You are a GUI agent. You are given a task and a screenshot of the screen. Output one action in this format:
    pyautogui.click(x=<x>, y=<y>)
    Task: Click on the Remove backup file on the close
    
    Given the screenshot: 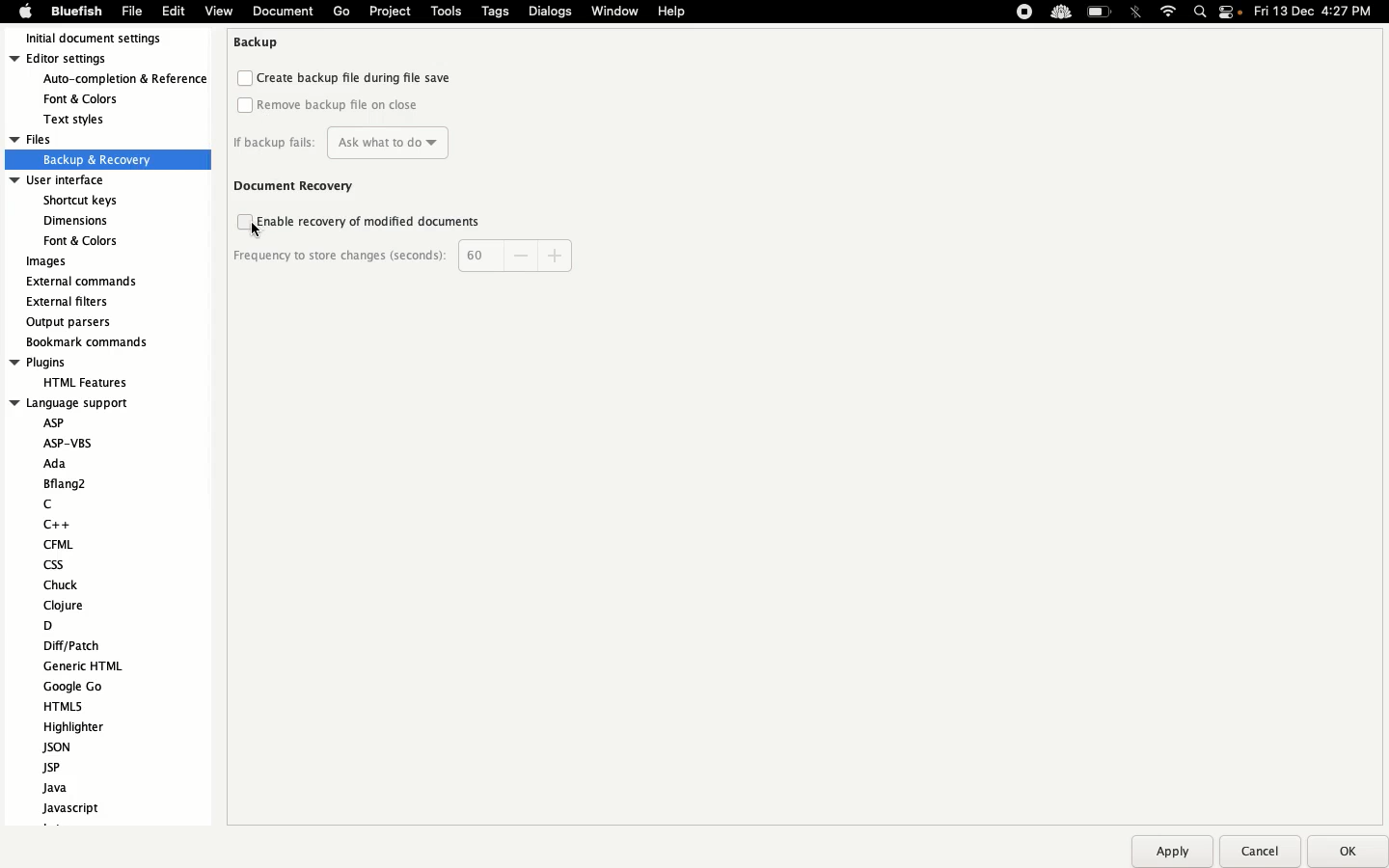 What is the action you would take?
    pyautogui.click(x=331, y=105)
    